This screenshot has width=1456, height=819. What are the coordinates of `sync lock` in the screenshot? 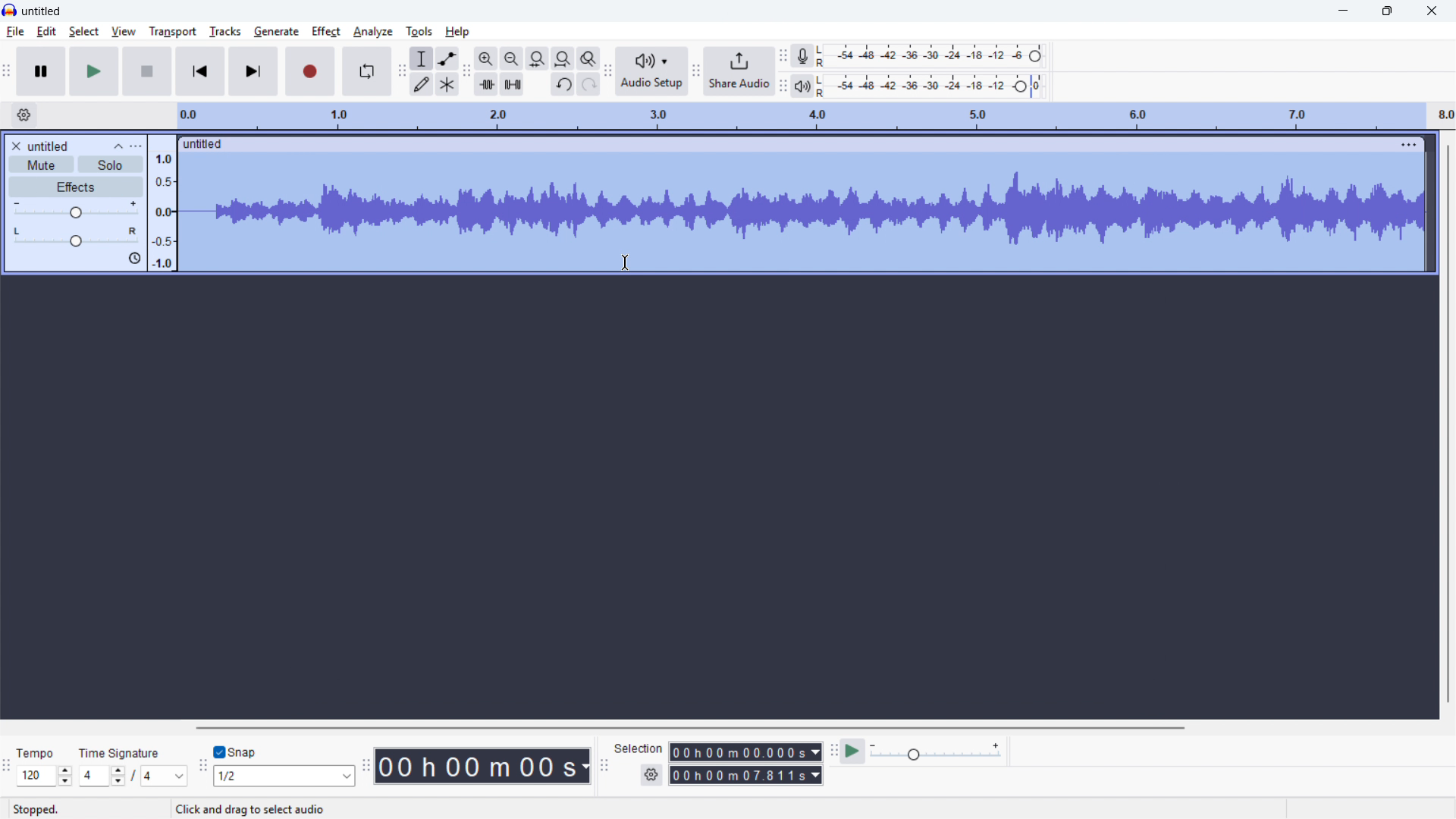 It's located at (133, 259).